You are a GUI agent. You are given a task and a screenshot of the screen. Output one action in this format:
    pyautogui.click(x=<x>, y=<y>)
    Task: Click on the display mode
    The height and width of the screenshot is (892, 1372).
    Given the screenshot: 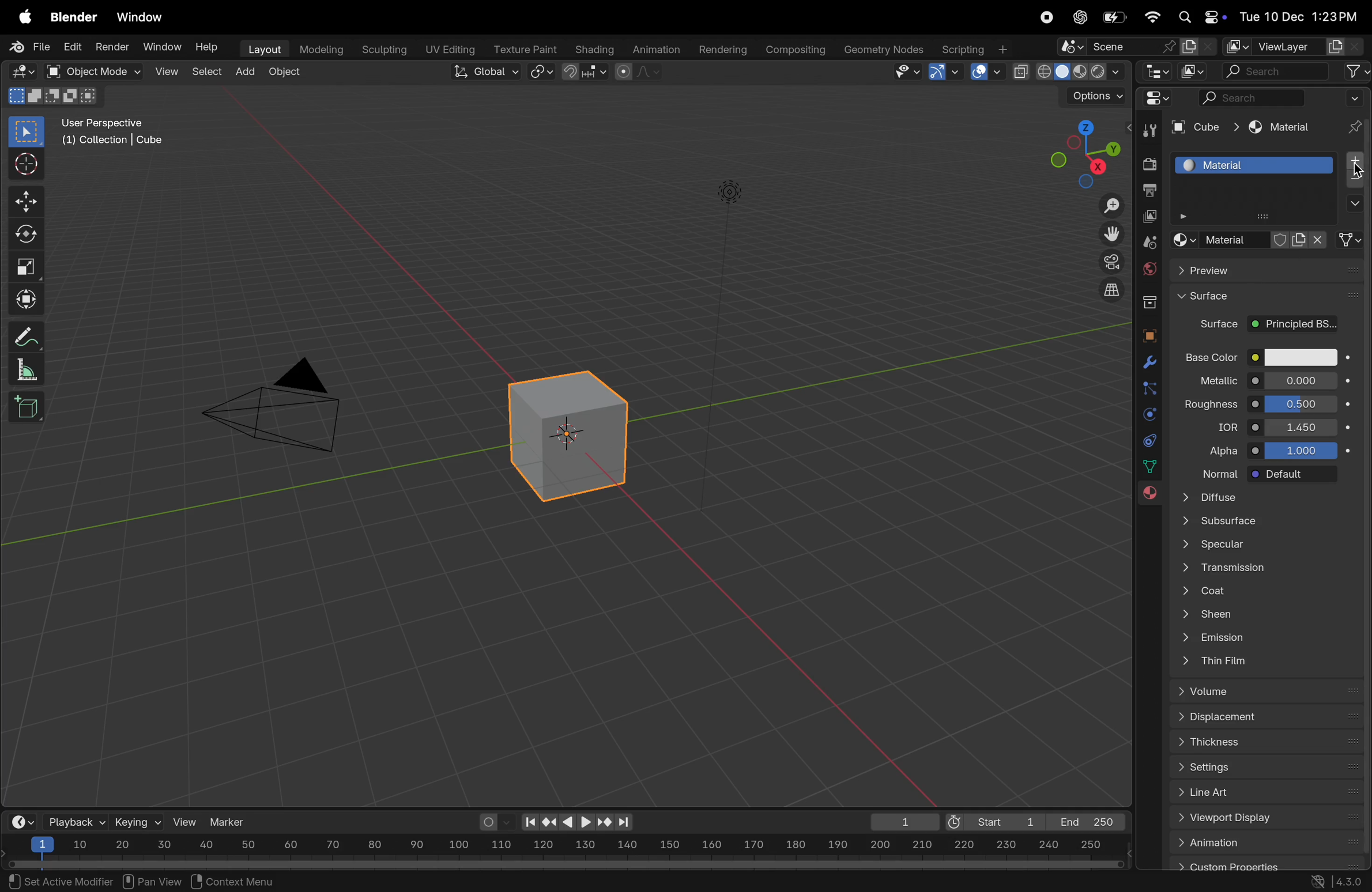 What is the action you would take?
    pyautogui.click(x=1194, y=71)
    